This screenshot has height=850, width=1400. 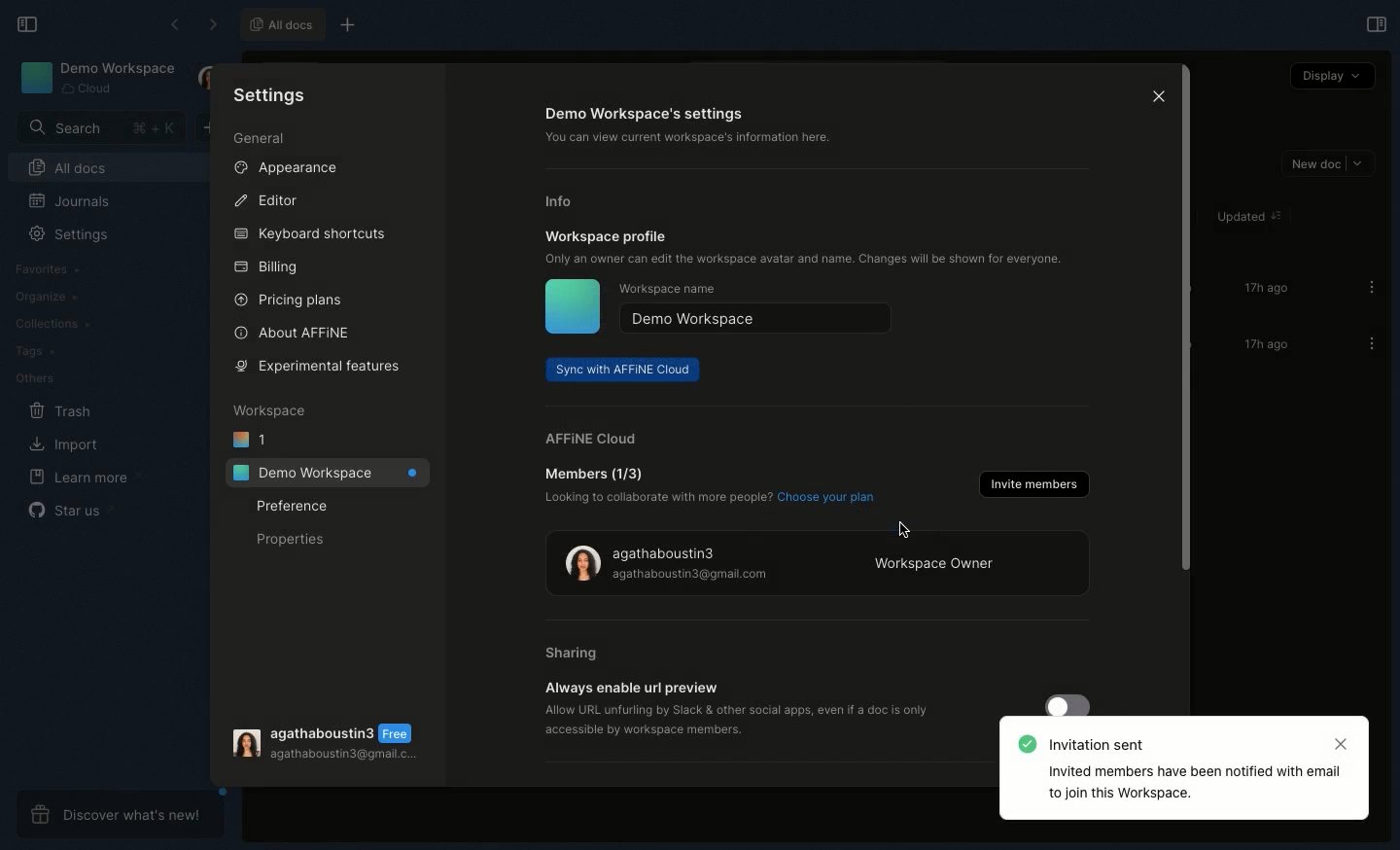 I want to click on Experimental features, so click(x=318, y=367).